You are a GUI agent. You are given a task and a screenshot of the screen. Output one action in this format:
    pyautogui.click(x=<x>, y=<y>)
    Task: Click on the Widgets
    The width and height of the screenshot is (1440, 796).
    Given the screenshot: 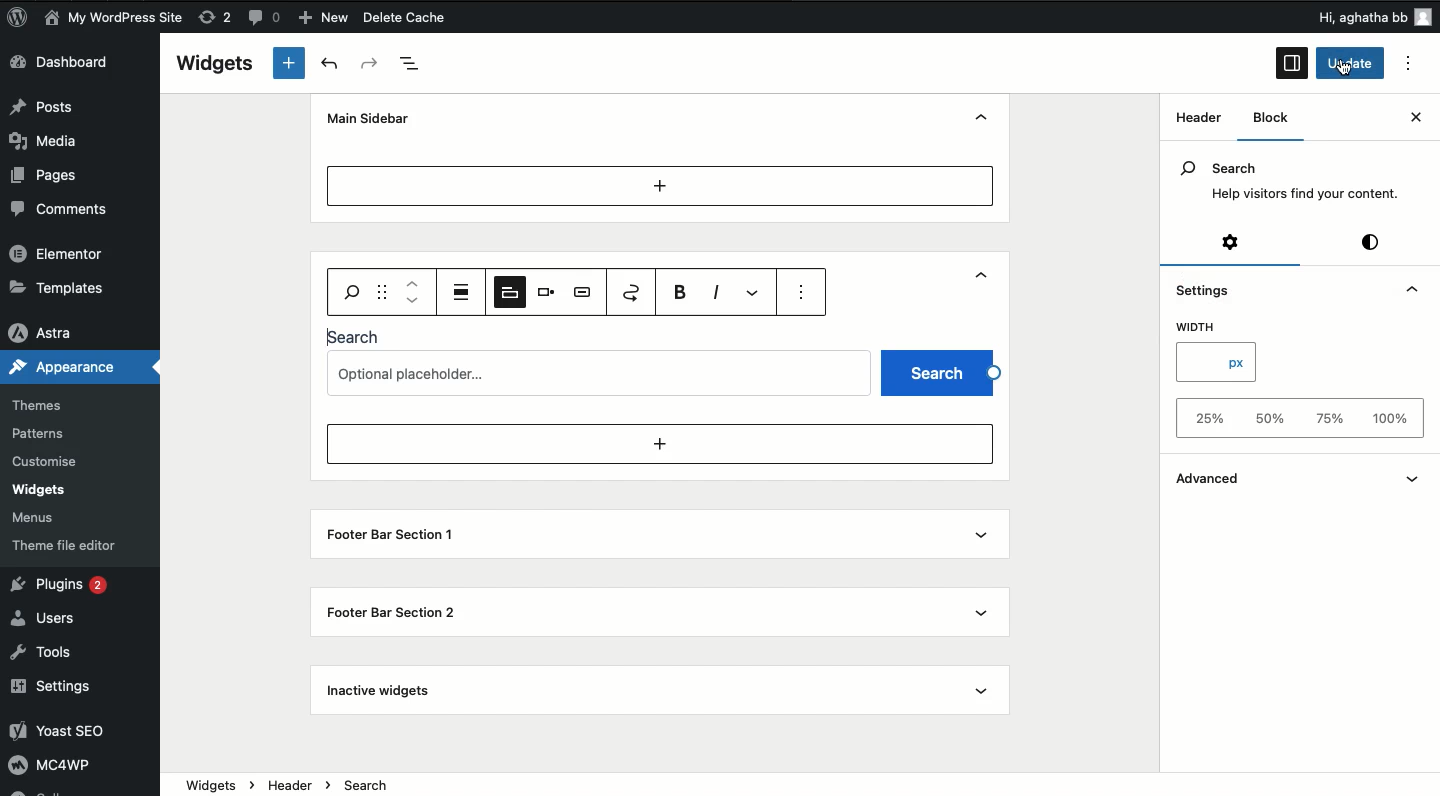 What is the action you would take?
    pyautogui.click(x=215, y=63)
    